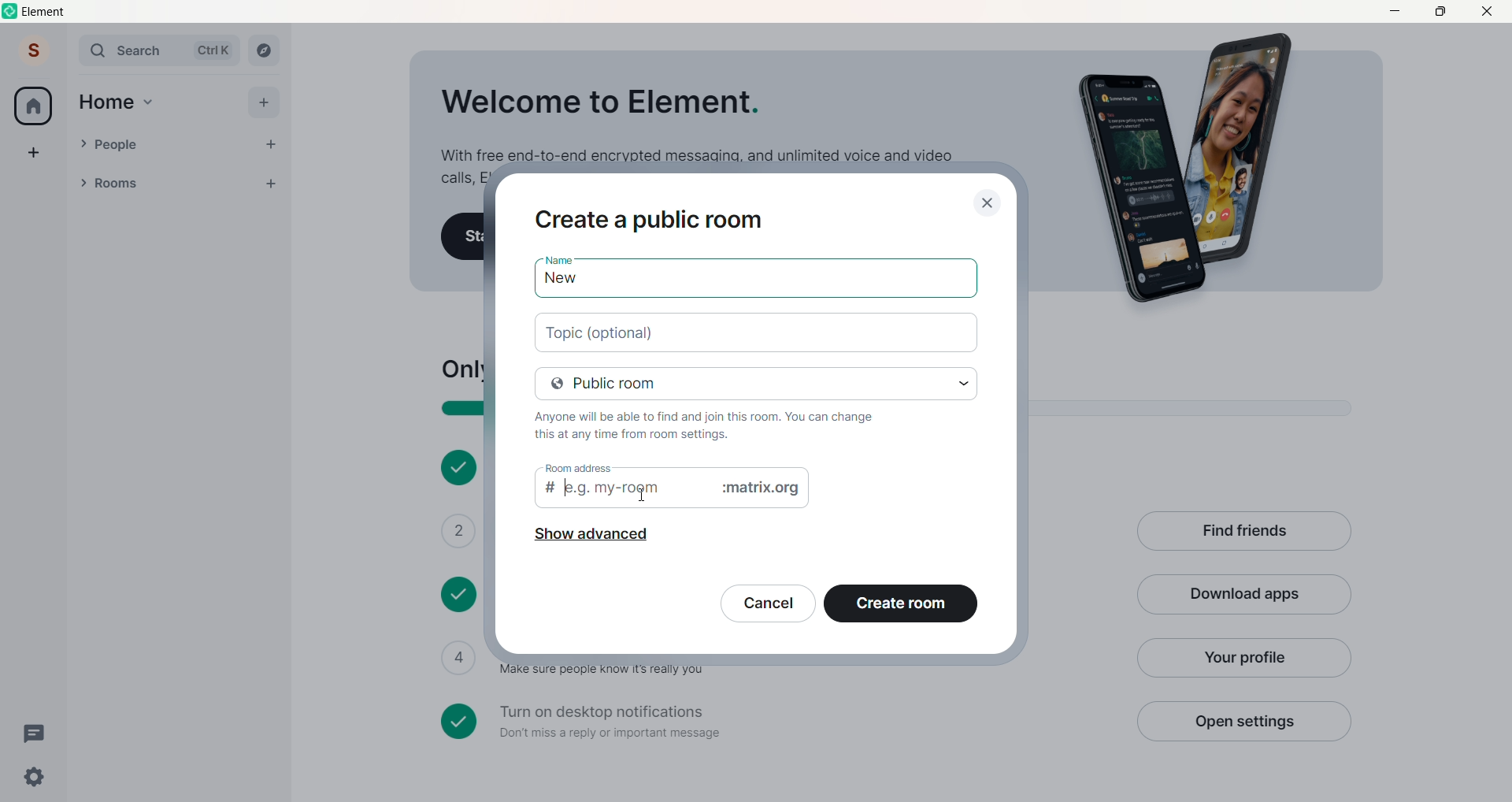  What do you see at coordinates (33, 106) in the screenshot?
I see `Home` at bounding box center [33, 106].